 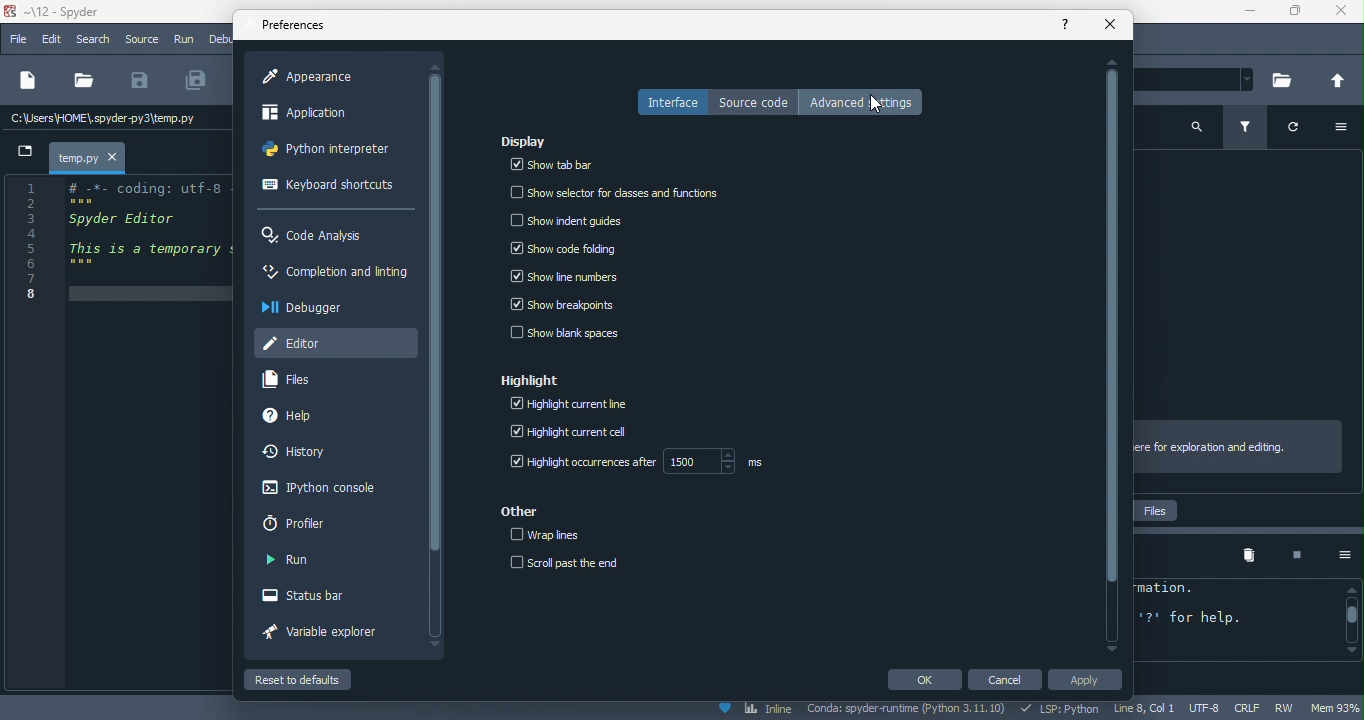 I want to click on source, so click(x=141, y=39).